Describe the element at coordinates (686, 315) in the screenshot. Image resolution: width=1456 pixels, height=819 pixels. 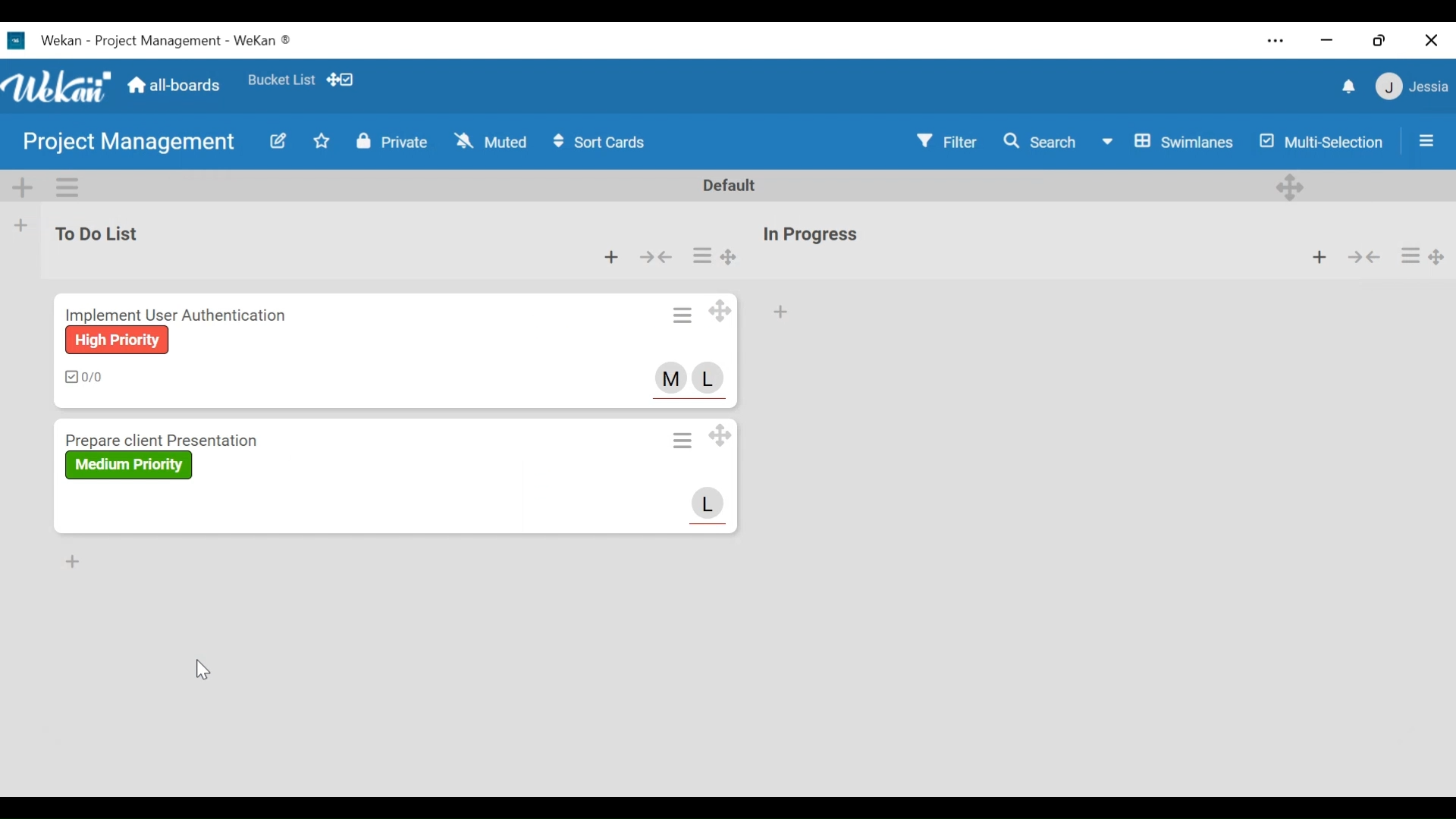
I see `card actions` at that location.